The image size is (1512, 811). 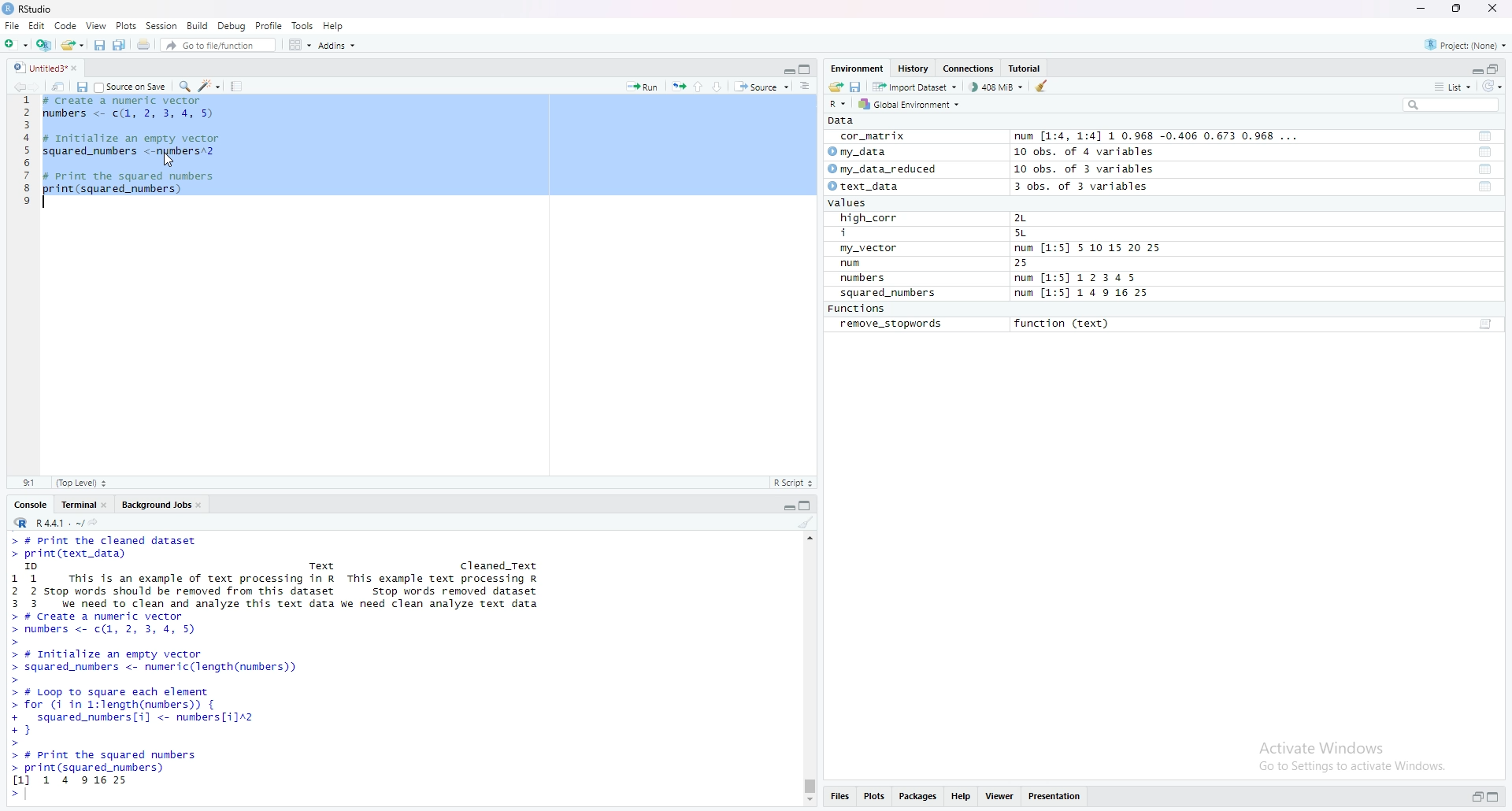 What do you see at coordinates (872, 234) in the screenshot?
I see `i` at bounding box center [872, 234].